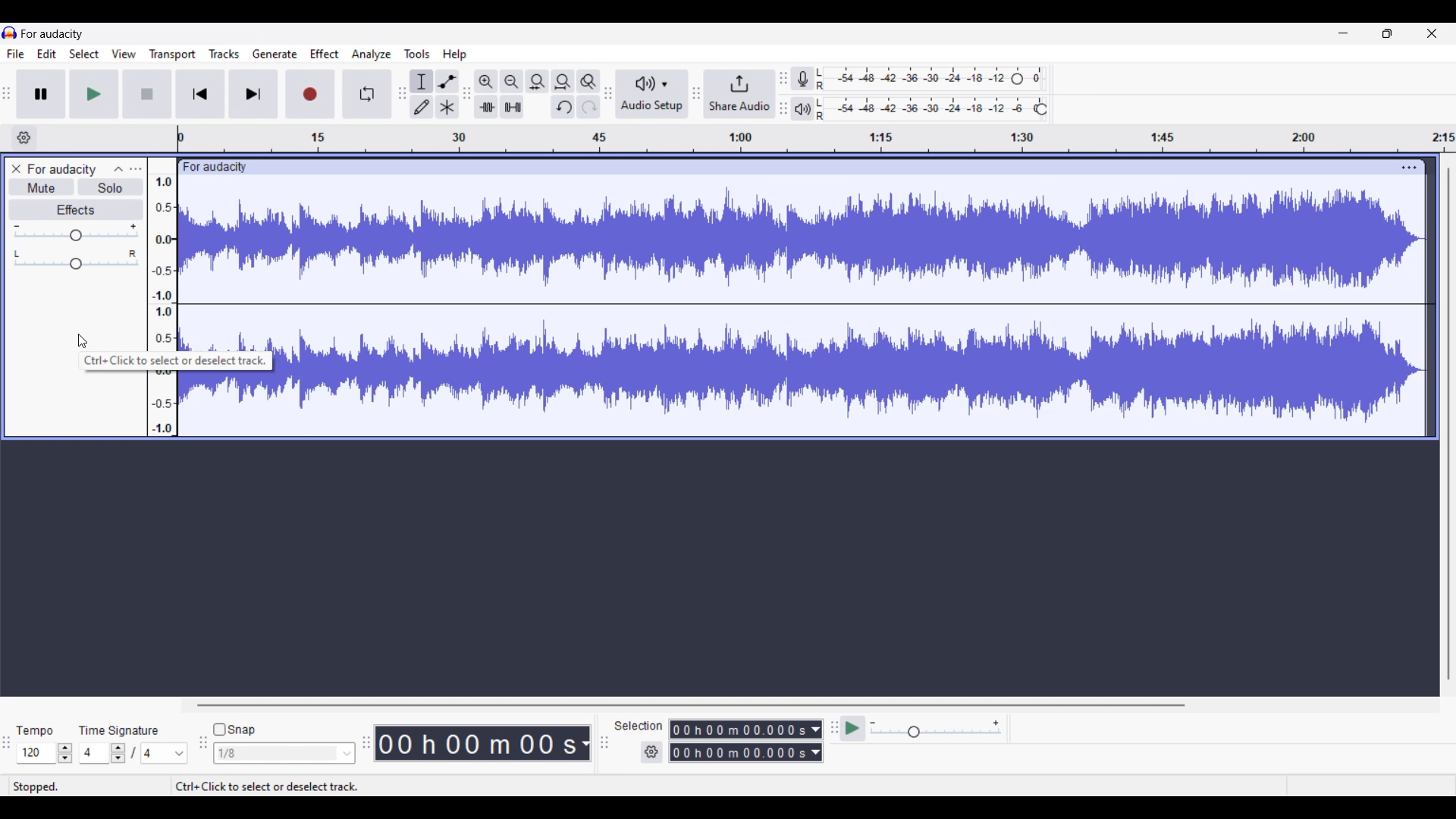 This screenshot has width=1456, height=819. I want to click on Silence audio selectio, so click(513, 106).